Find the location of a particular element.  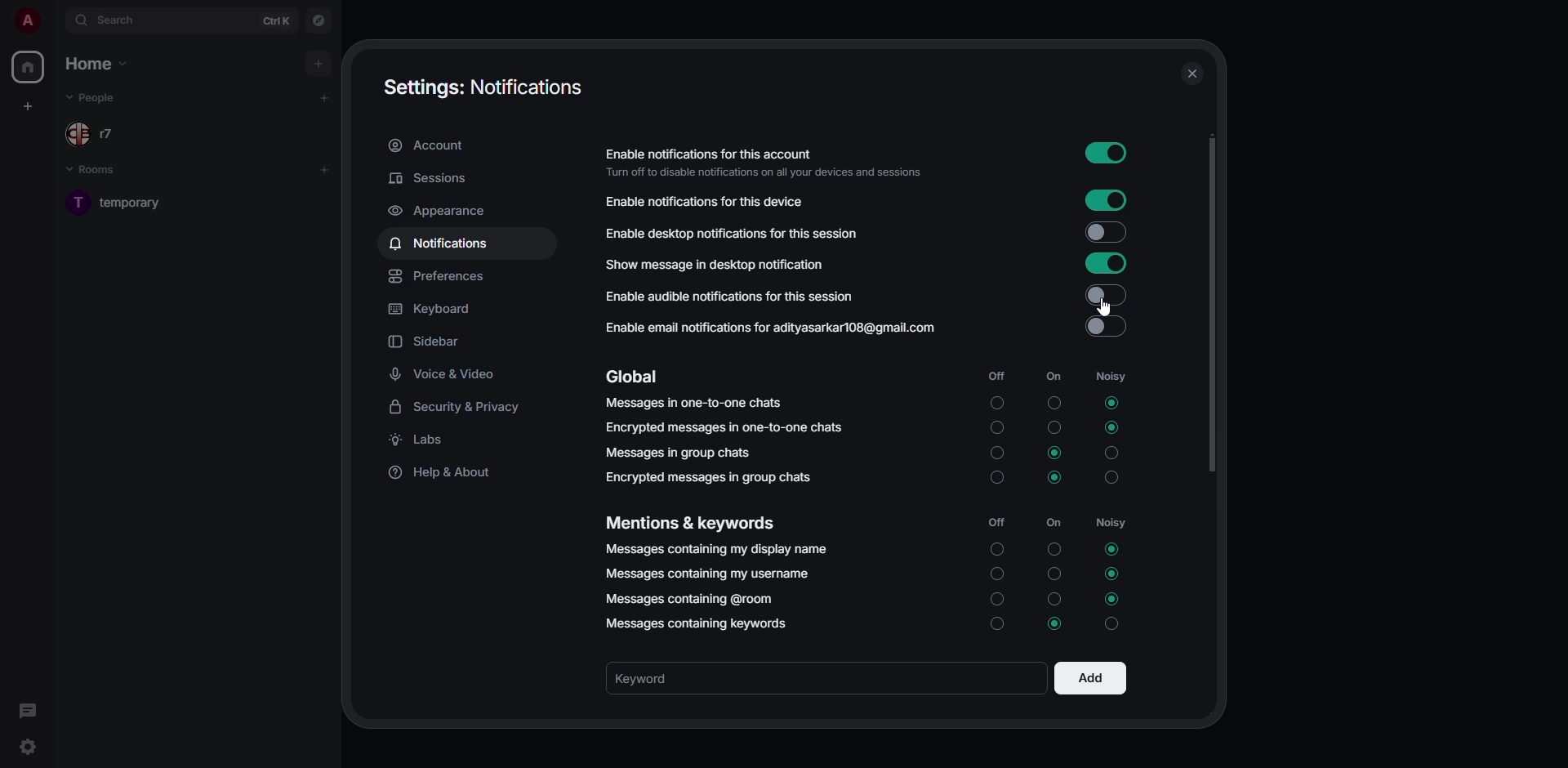

noisy is located at coordinates (1111, 522).